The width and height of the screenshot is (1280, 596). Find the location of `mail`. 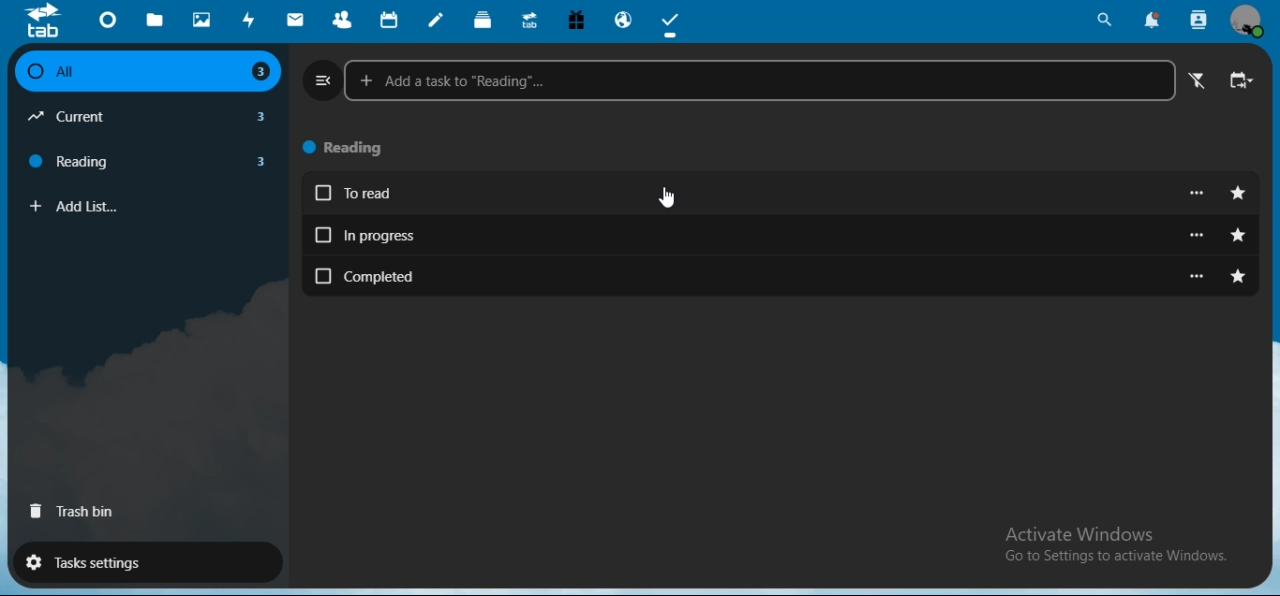

mail is located at coordinates (297, 20).